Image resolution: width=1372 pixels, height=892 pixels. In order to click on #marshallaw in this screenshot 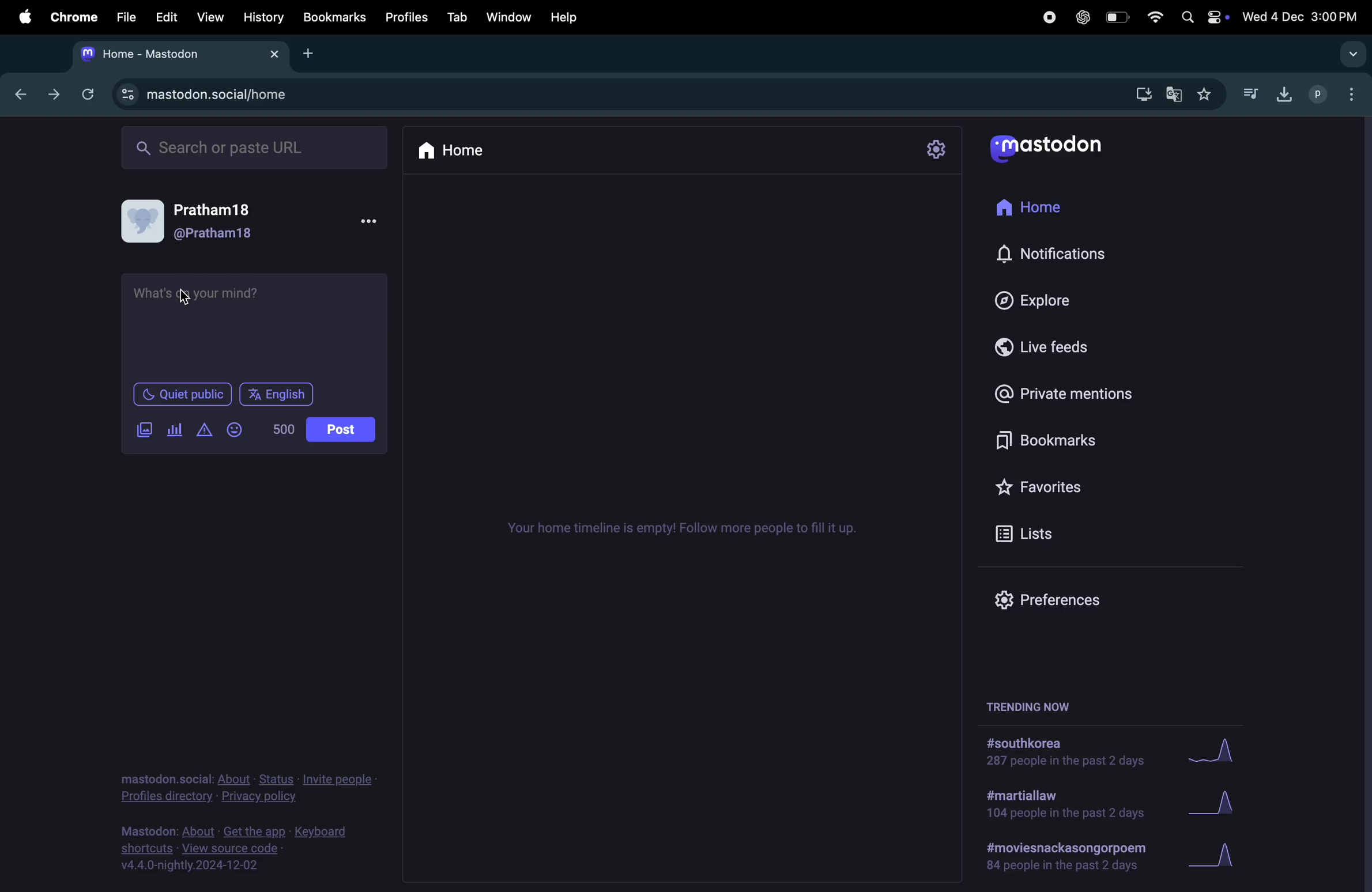, I will do `click(1065, 805)`.